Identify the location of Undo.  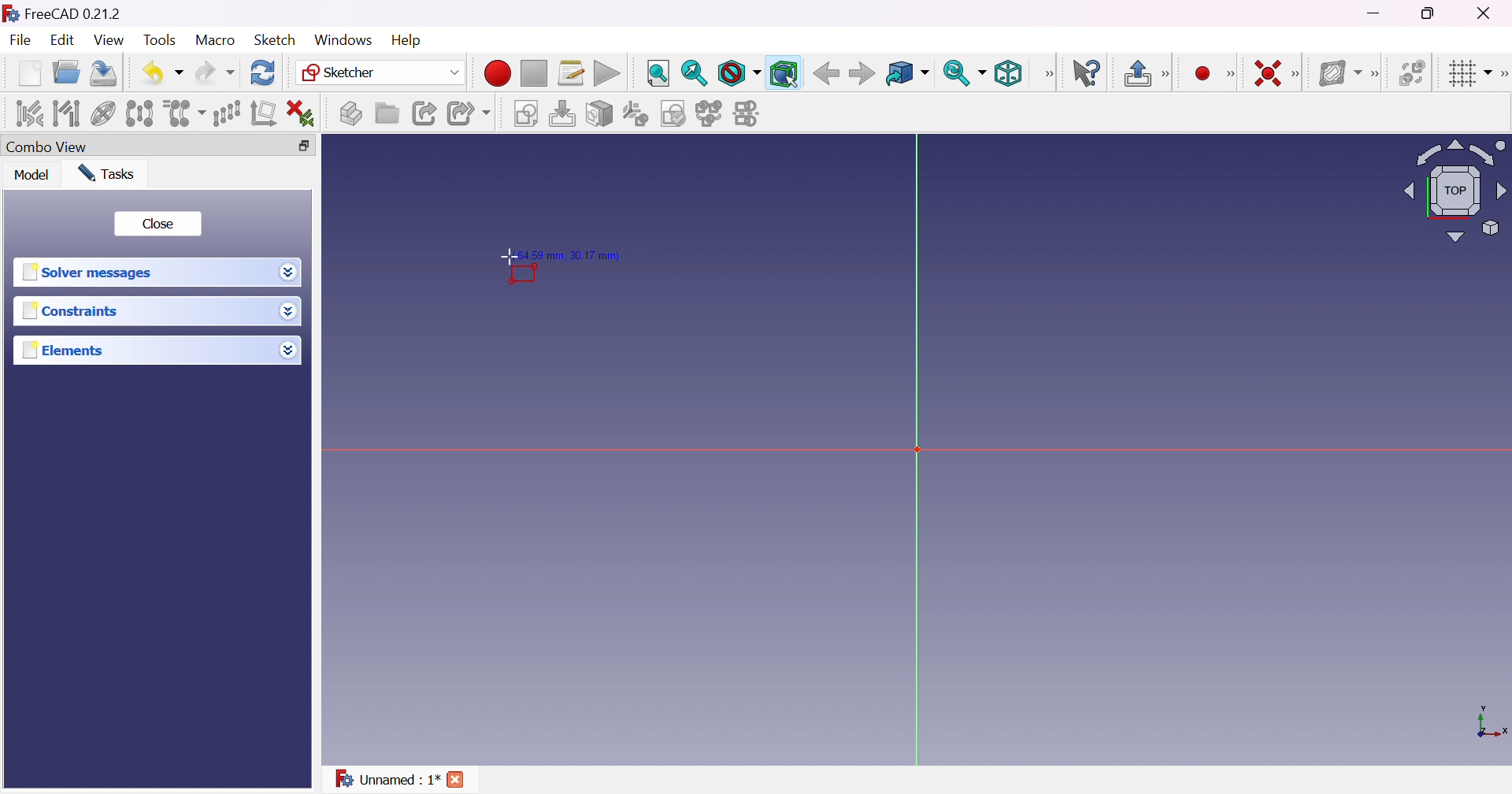
(163, 76).